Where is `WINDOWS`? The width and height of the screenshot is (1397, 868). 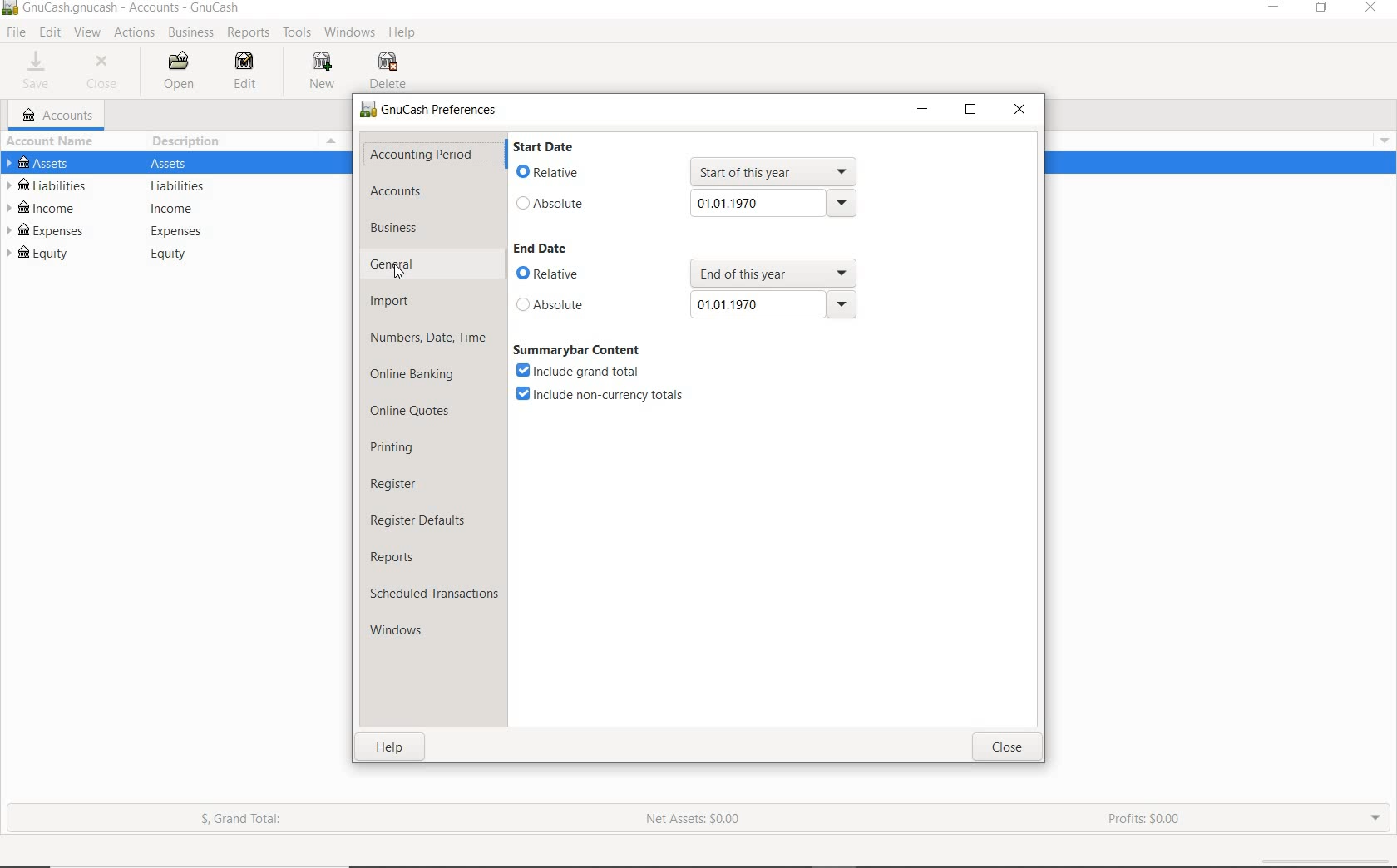
WINDOWS is located at coordinates (398, 630).